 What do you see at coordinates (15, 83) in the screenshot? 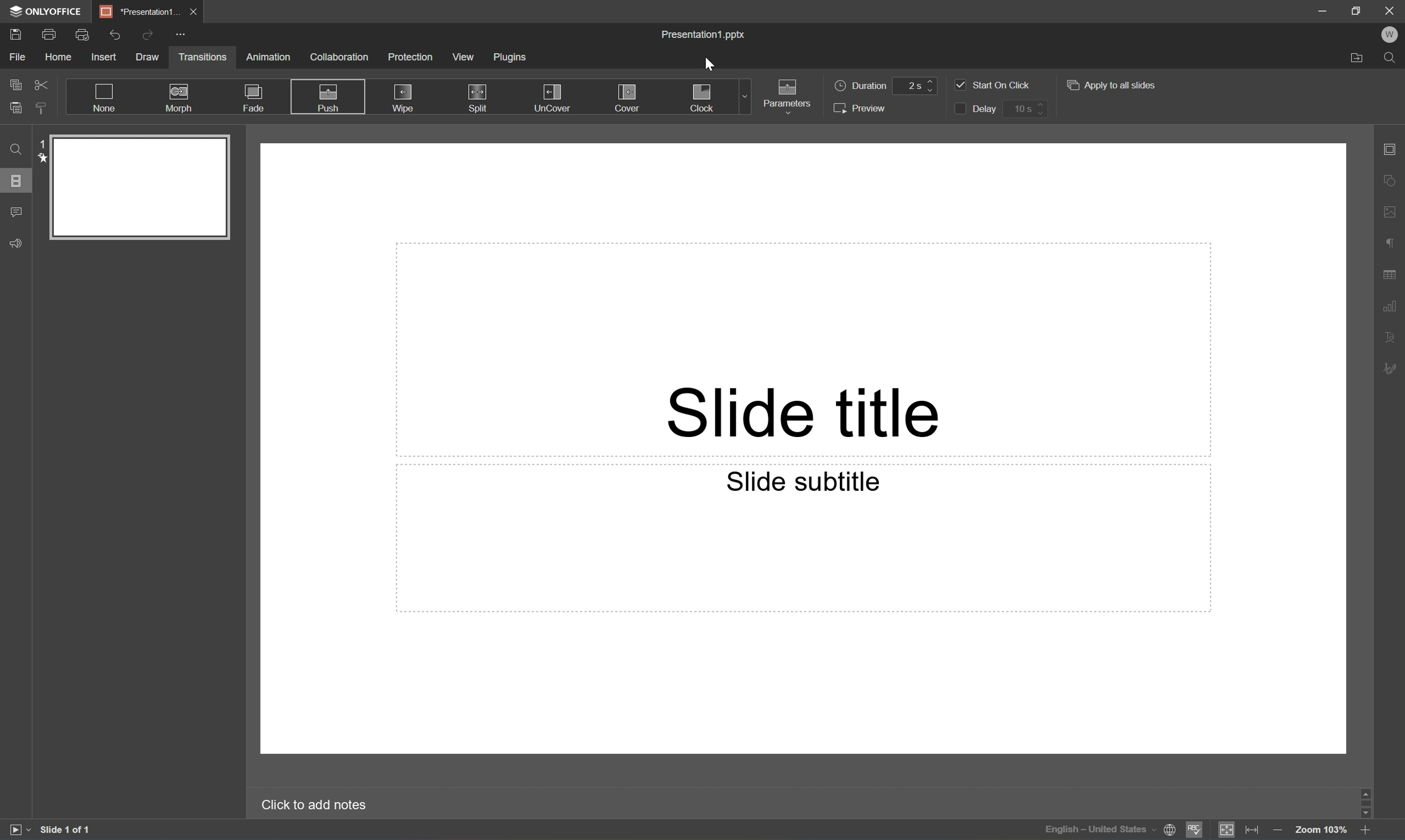
I see `Copy` at bounding box center [15, 83].